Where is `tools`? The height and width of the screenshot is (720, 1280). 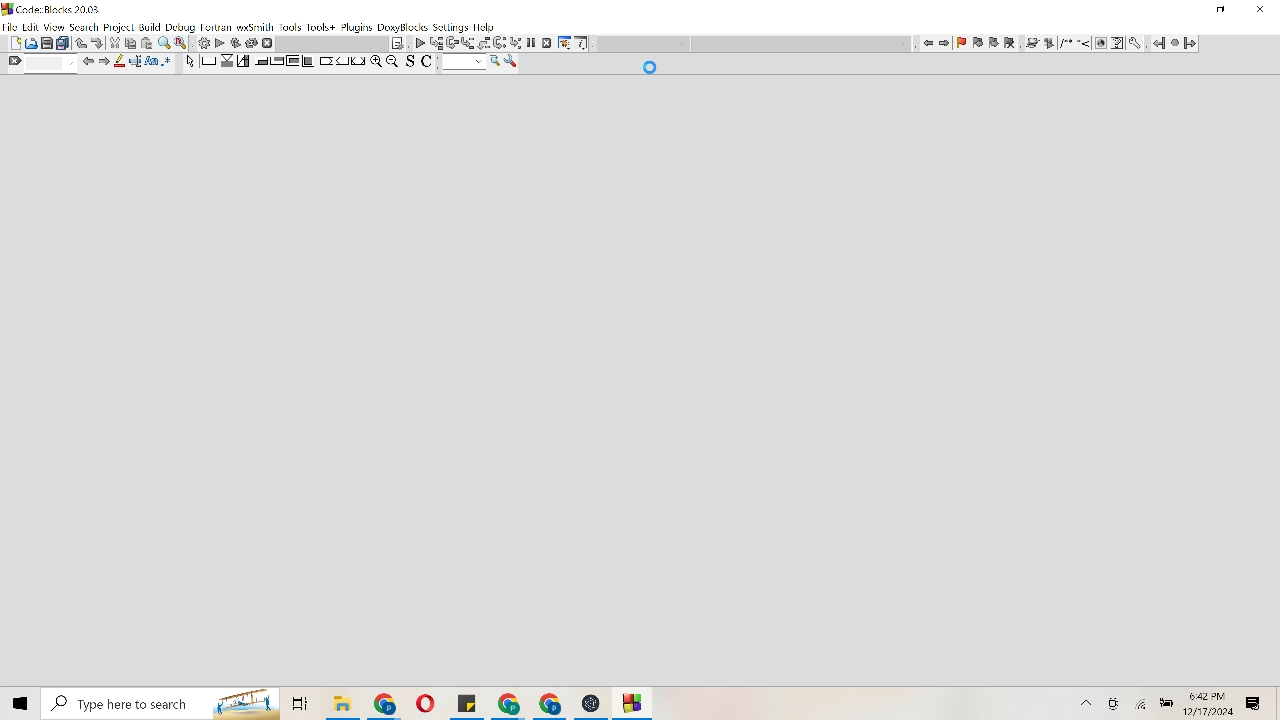
tools is located at coordinates (1137, 44).